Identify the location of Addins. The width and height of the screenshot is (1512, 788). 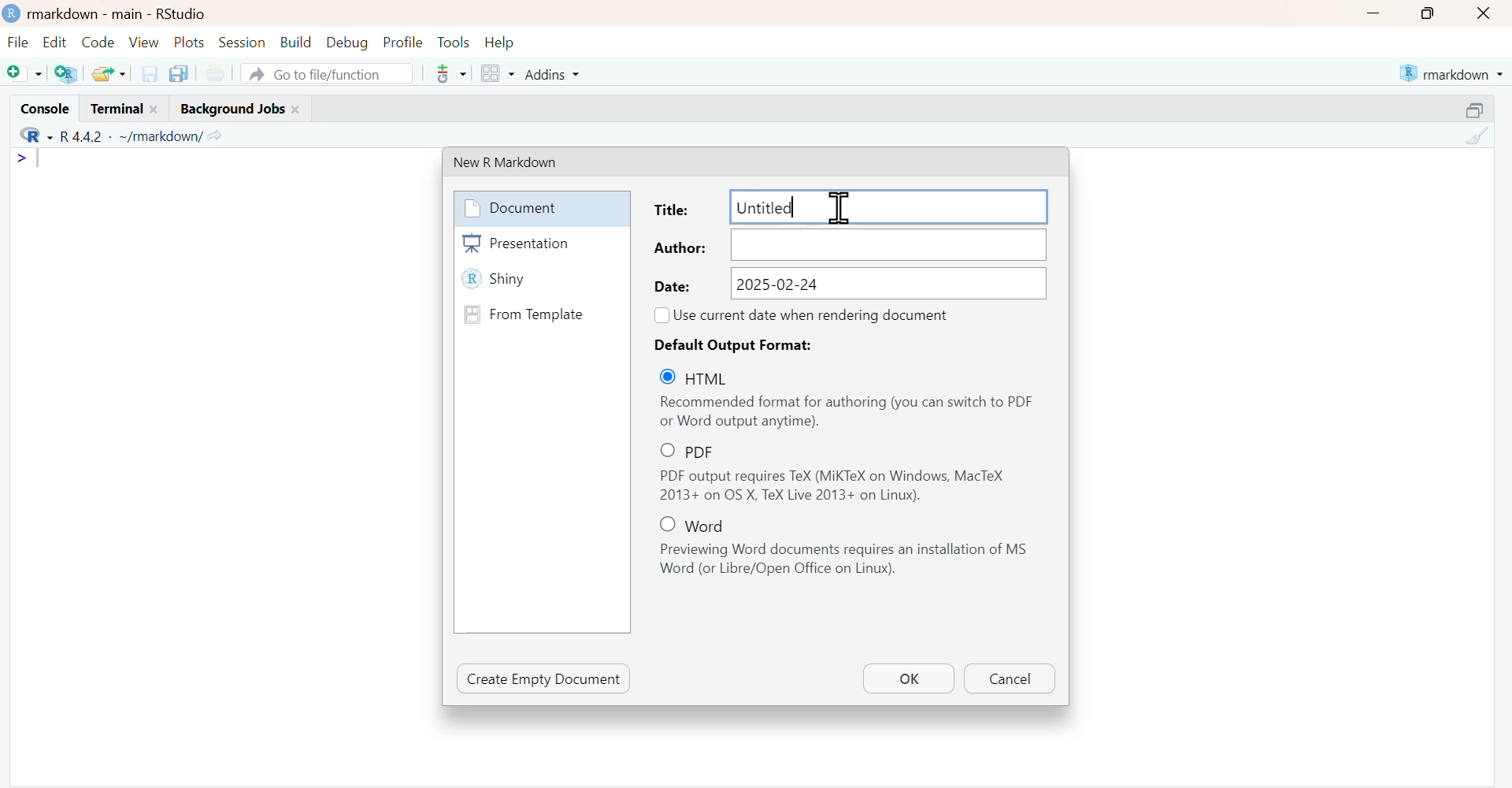
(550, 73).